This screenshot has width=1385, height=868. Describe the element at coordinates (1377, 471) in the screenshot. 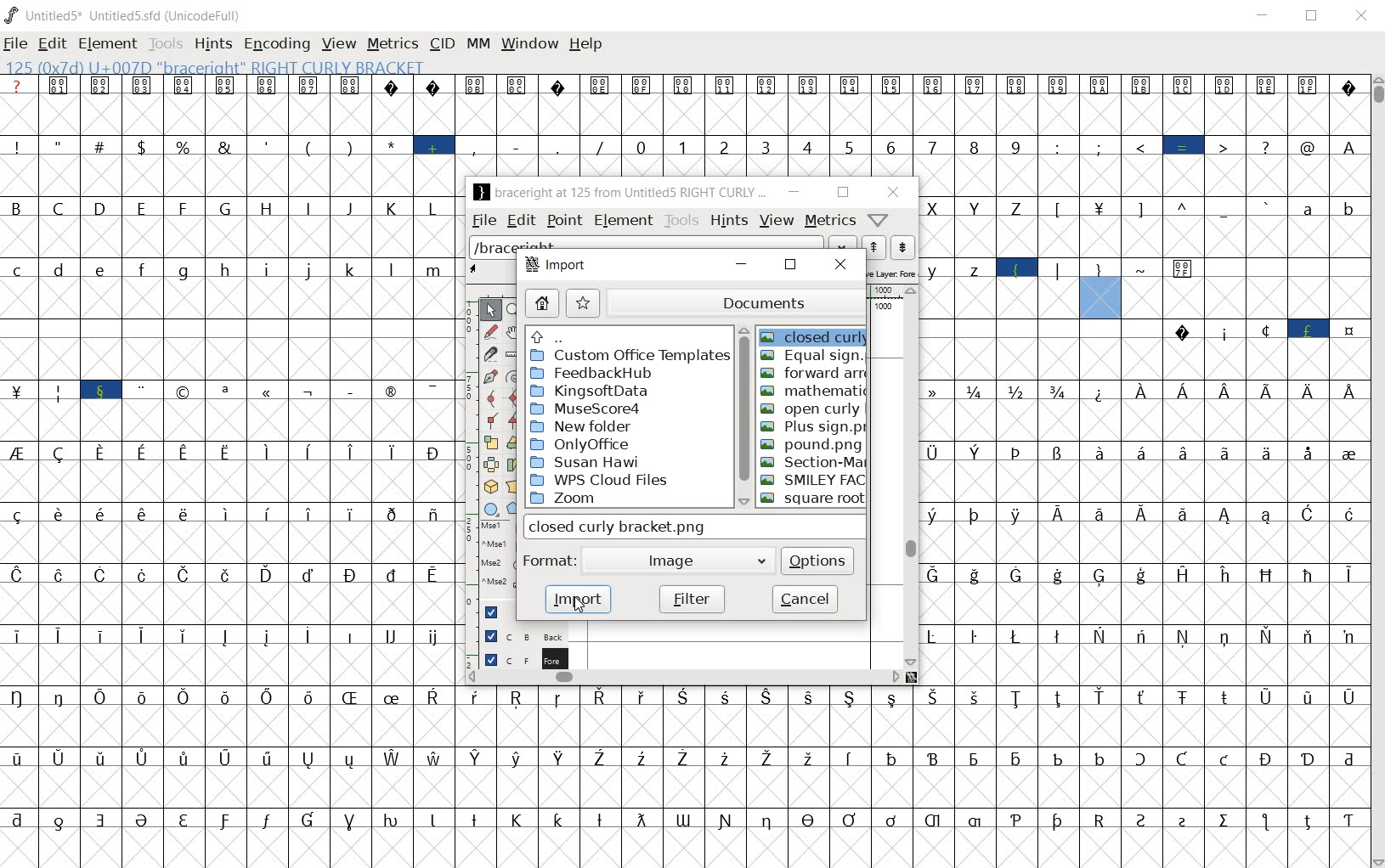

I see `SCROLLBAR` at that location.